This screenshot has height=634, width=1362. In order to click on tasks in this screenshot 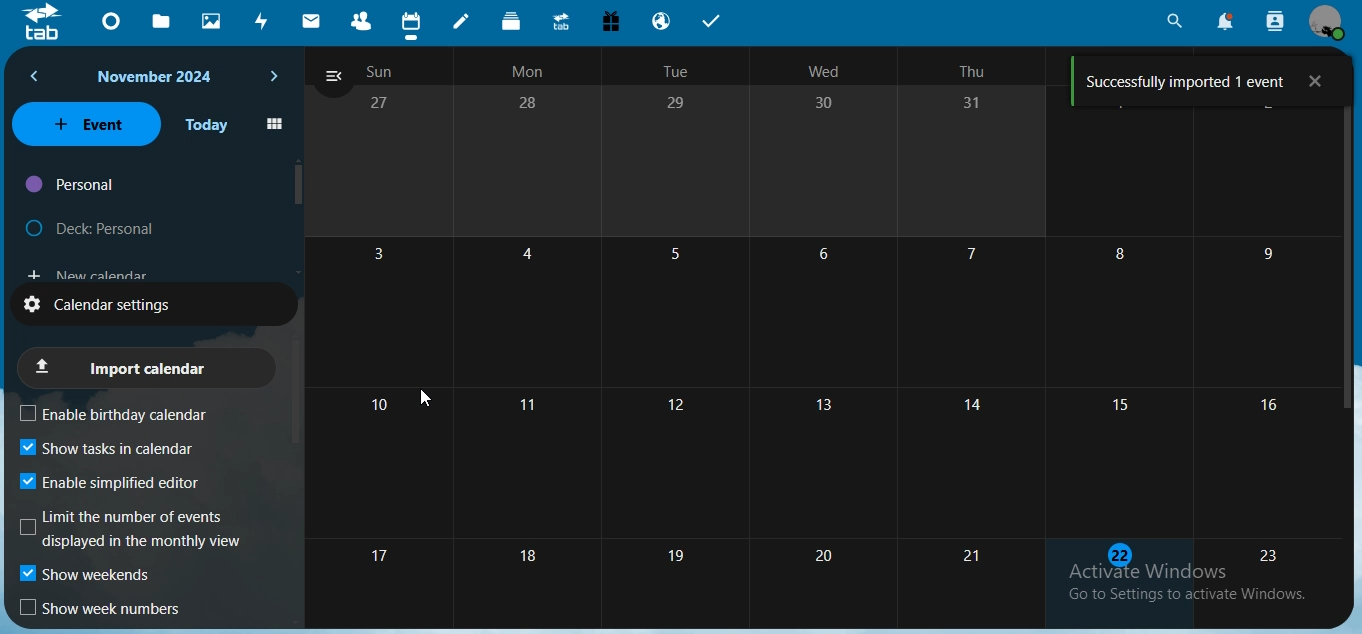, I will do `click(715, 22)`.